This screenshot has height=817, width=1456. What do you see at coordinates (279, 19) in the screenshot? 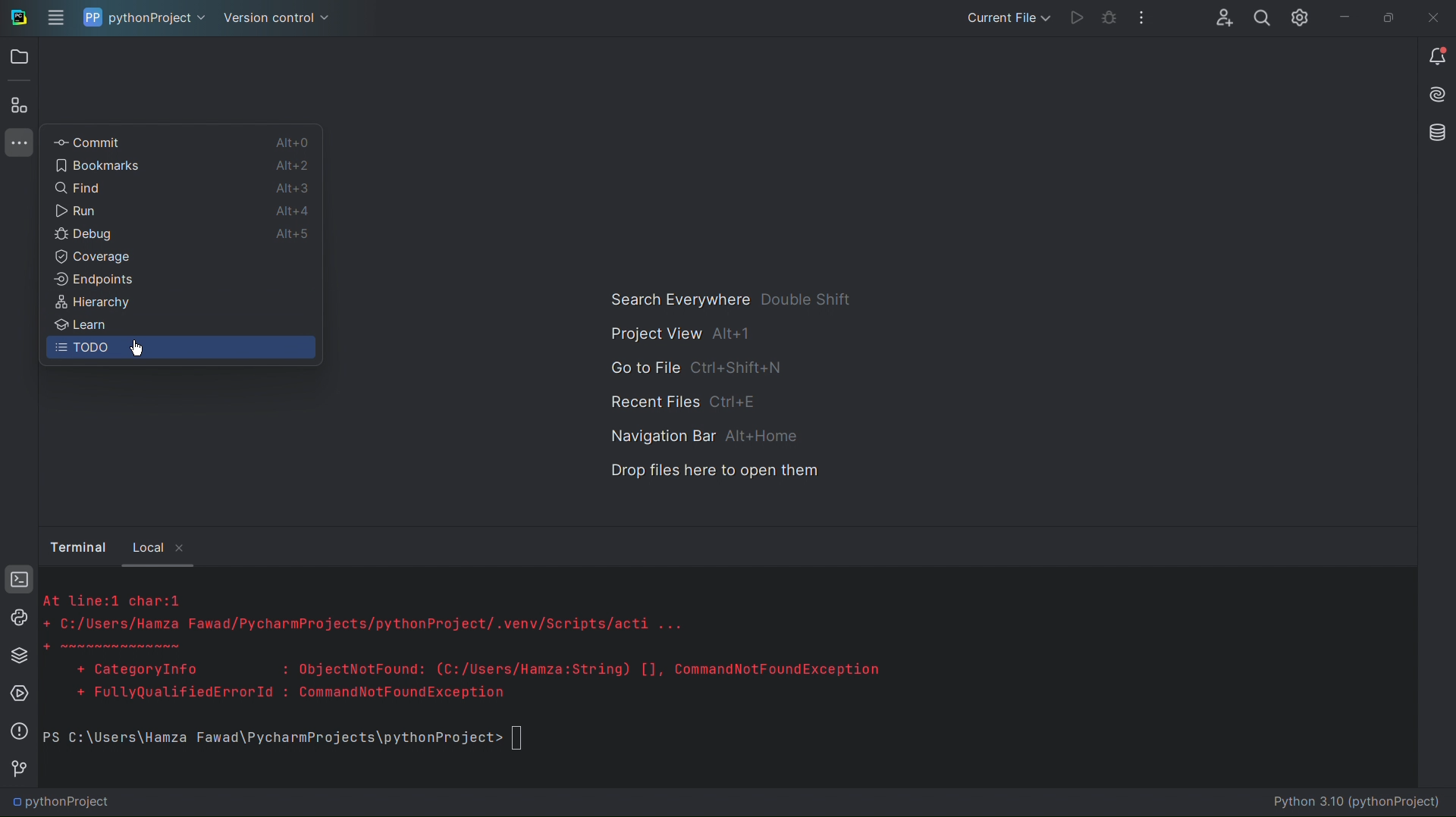
I see `Version Control` at bounding box center [279, 19].